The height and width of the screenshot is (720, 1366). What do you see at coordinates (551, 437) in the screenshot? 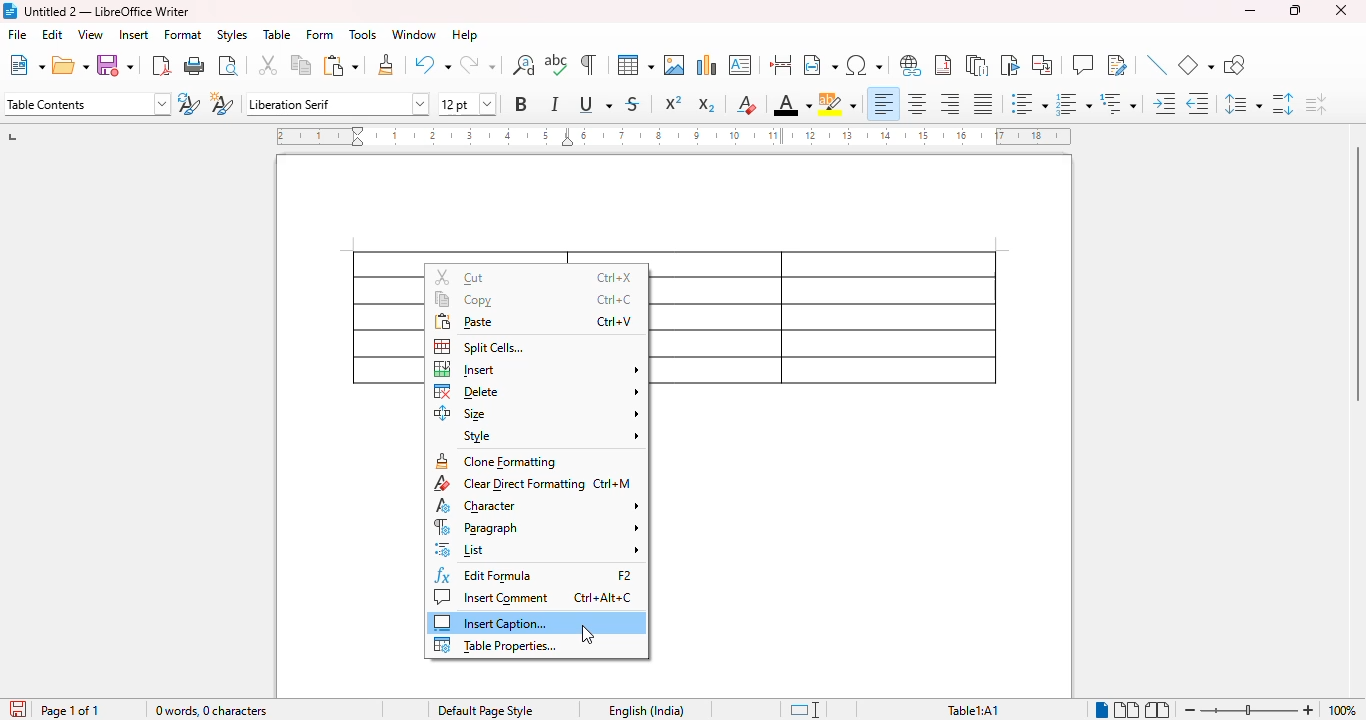
I see `style` at bounding box center [551, 437].